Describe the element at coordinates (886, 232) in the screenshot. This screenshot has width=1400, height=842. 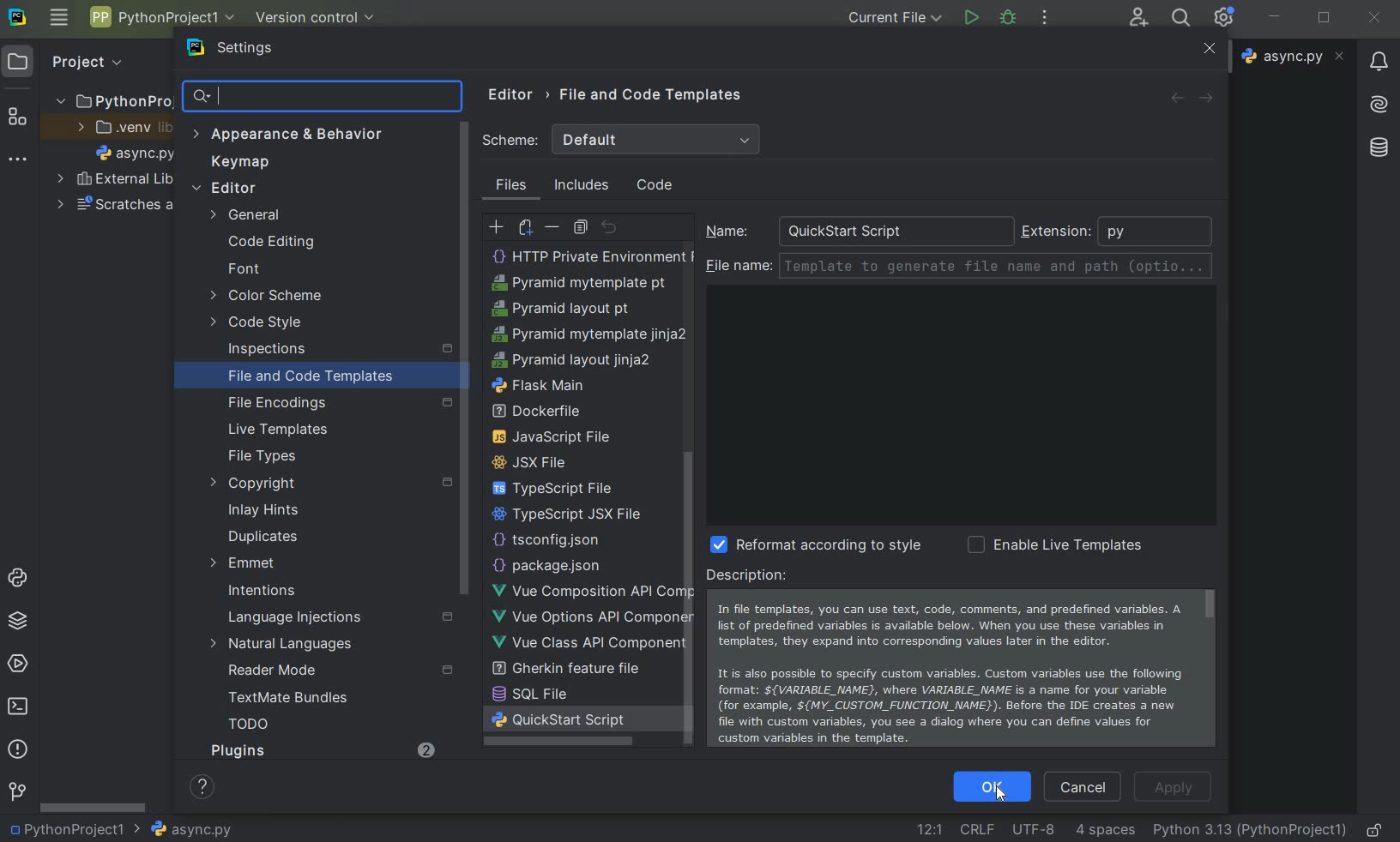
I see `QuickStart Script` at that location.